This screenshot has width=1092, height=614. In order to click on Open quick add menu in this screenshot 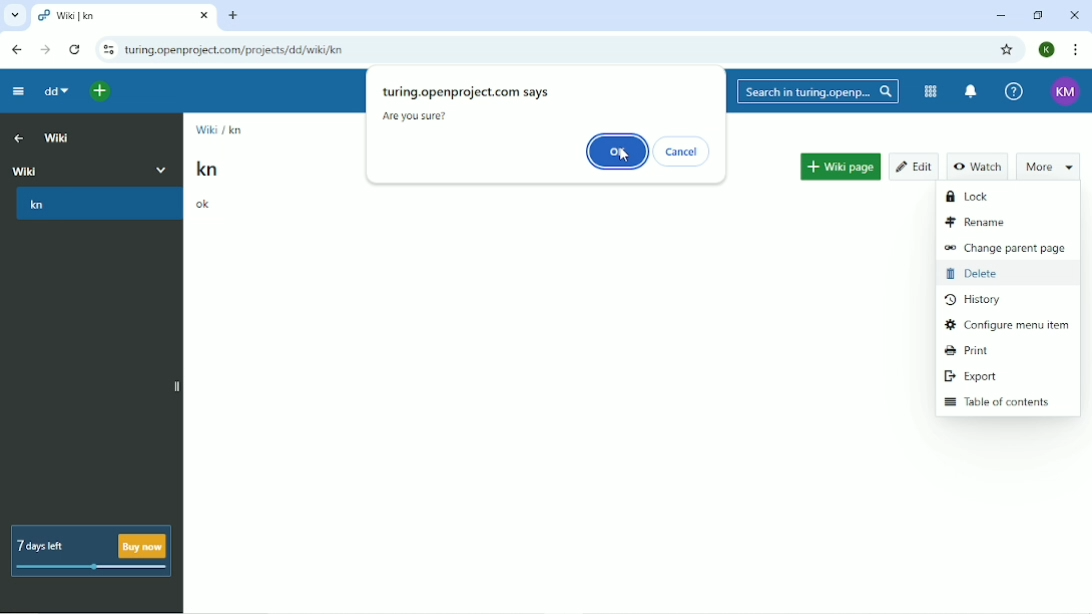, I will do `click(95, 94)`.